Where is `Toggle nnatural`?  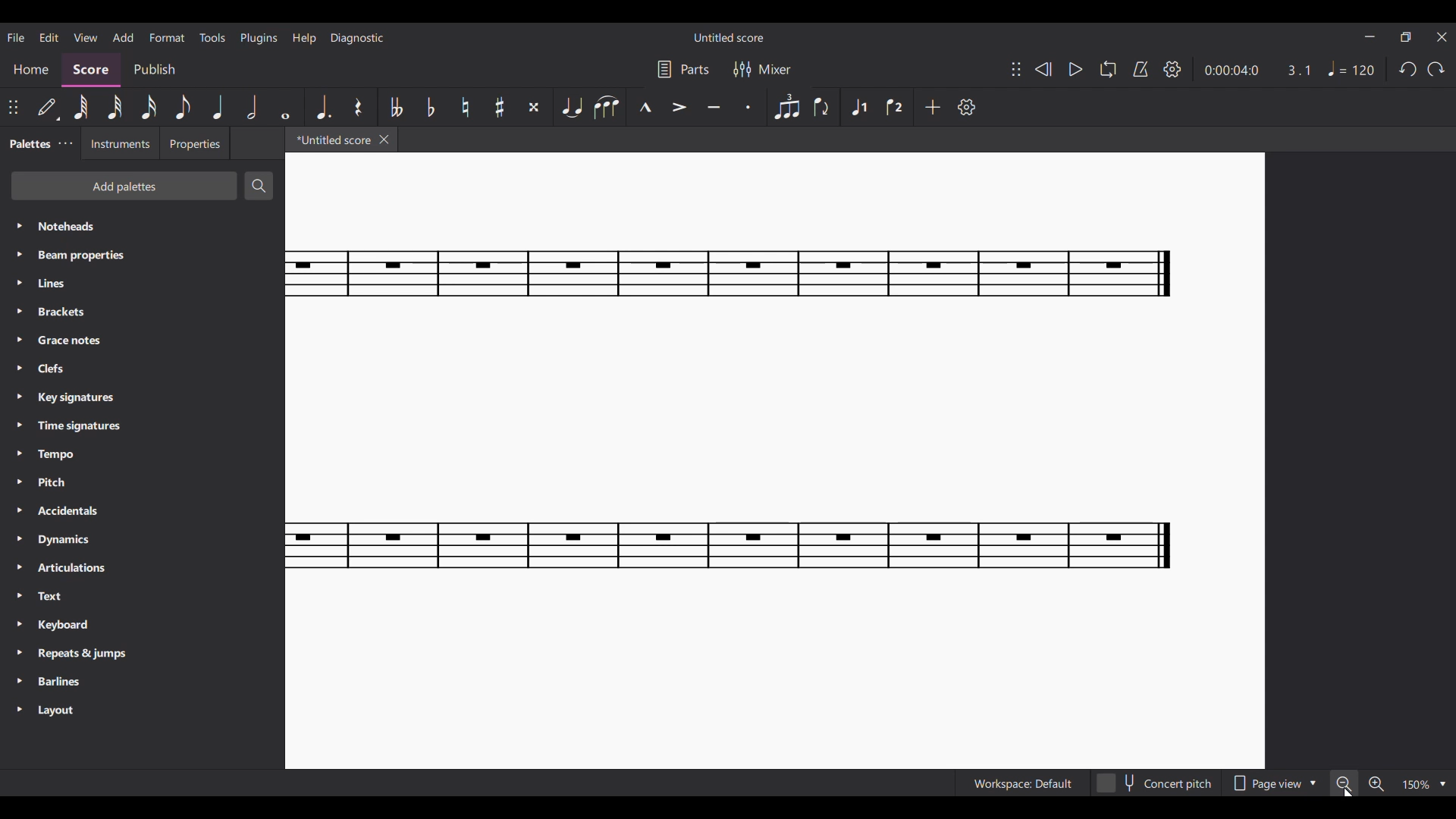 Toggle nnatural is located at coordinates (466, 107).